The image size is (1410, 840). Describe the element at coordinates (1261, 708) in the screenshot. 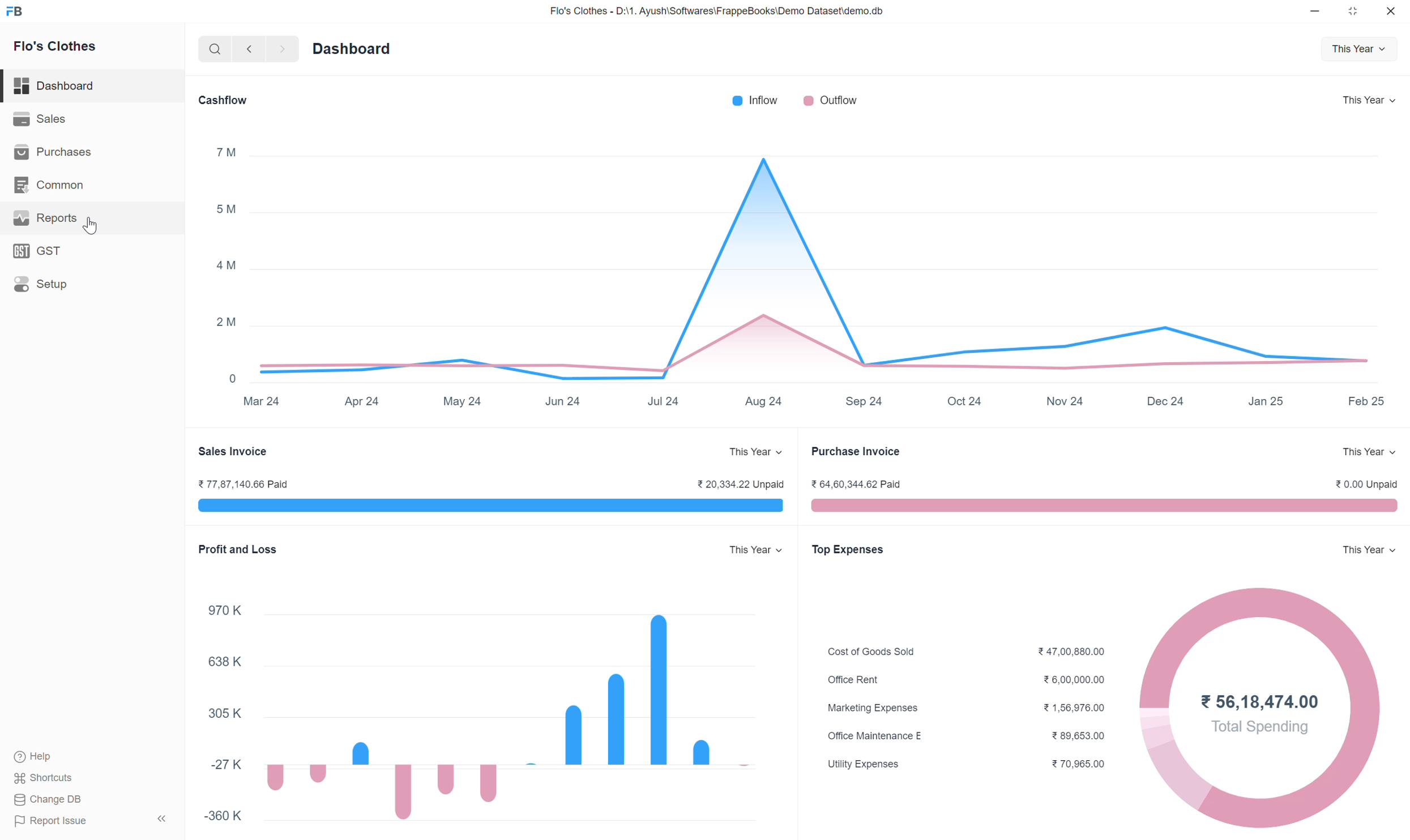

I see `Pie chart` at that location.